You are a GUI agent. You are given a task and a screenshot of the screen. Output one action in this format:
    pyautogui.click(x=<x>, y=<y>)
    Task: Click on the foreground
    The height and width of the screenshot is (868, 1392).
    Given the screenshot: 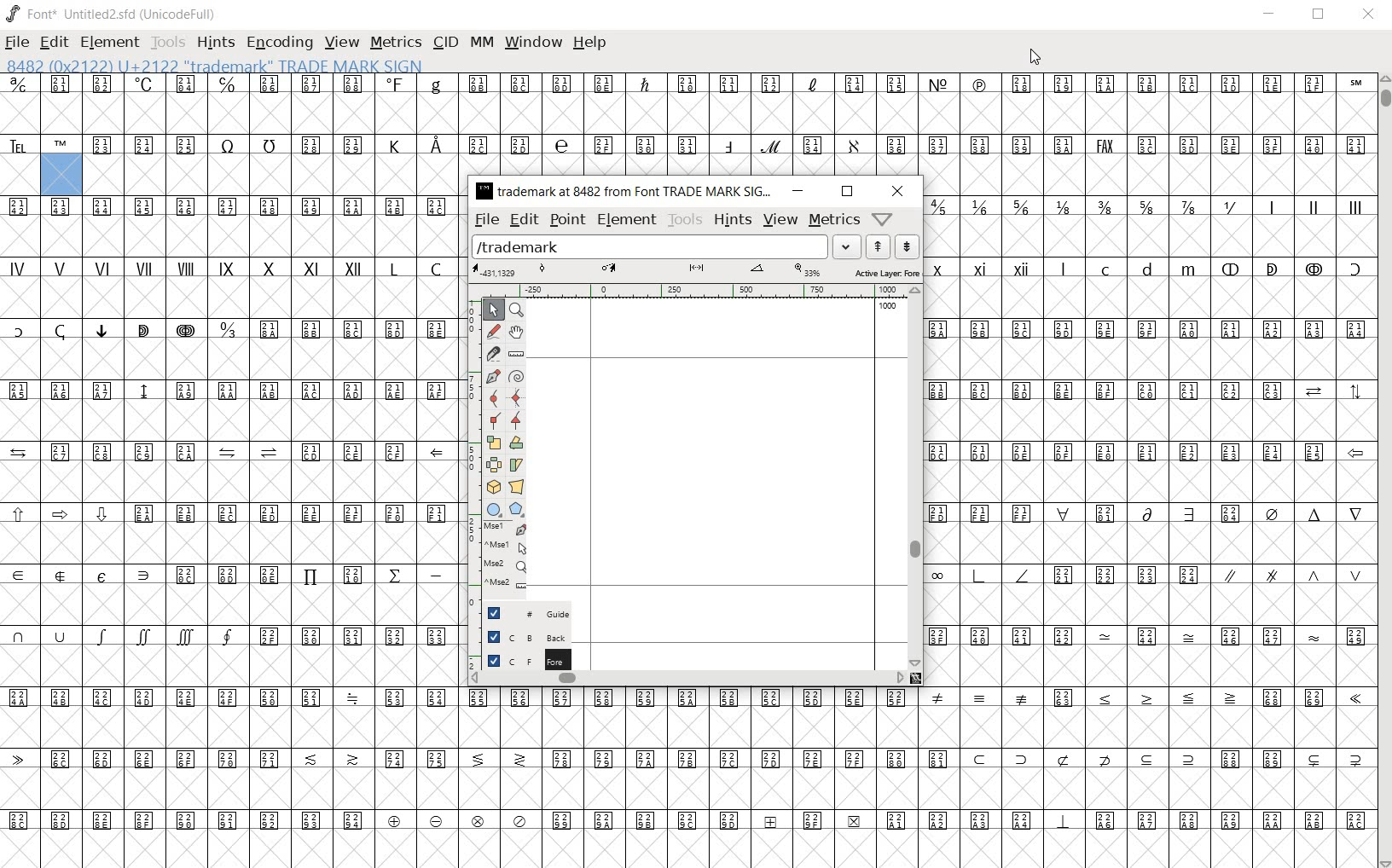 What is the action you would take?
    pyautogui.click(x=522, y=658)
    